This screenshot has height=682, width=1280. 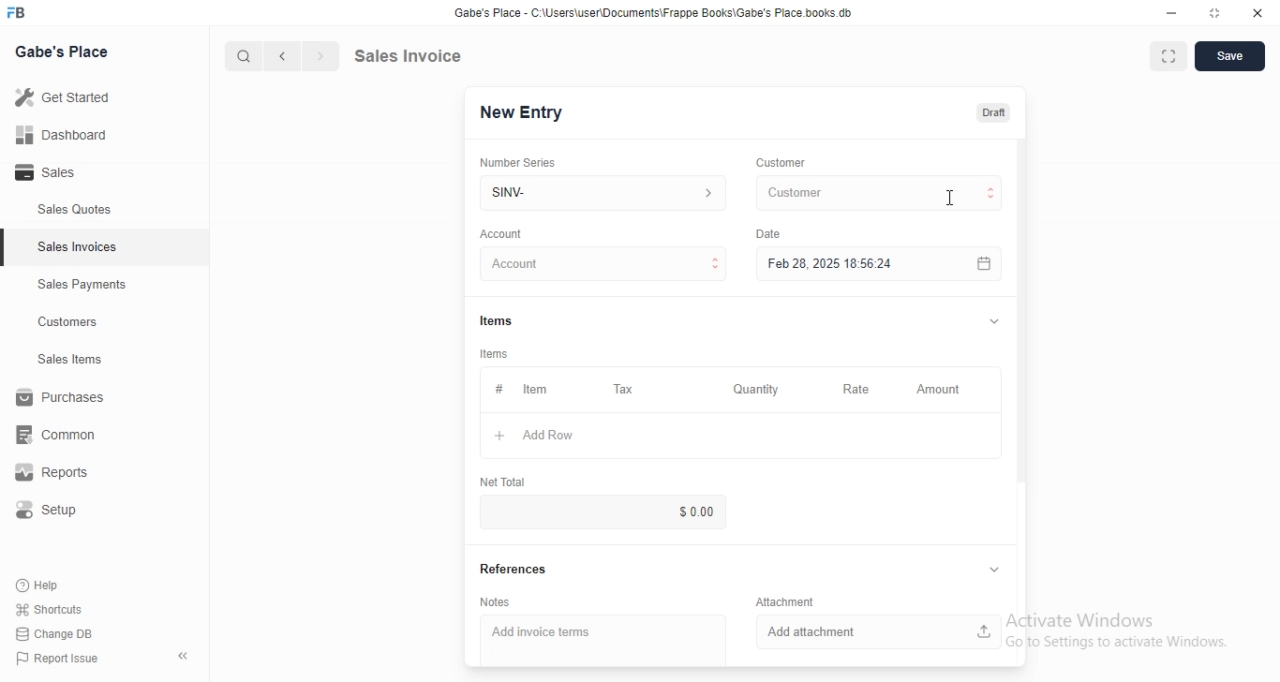 I want to click on , so click(x=498, y=389).